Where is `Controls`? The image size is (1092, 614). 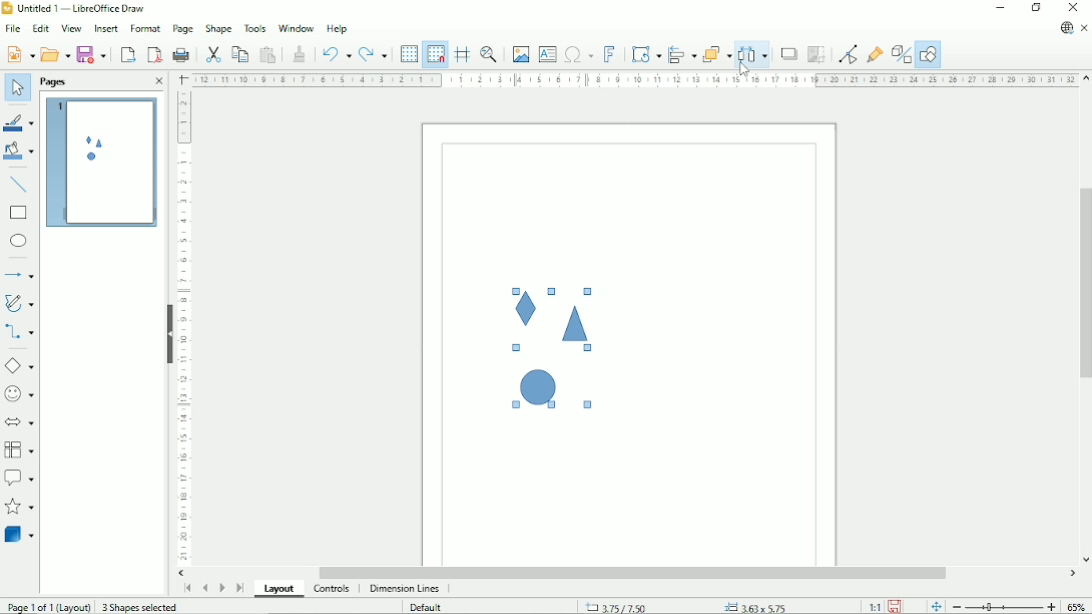
Controls is located at coordinates (332, 590).